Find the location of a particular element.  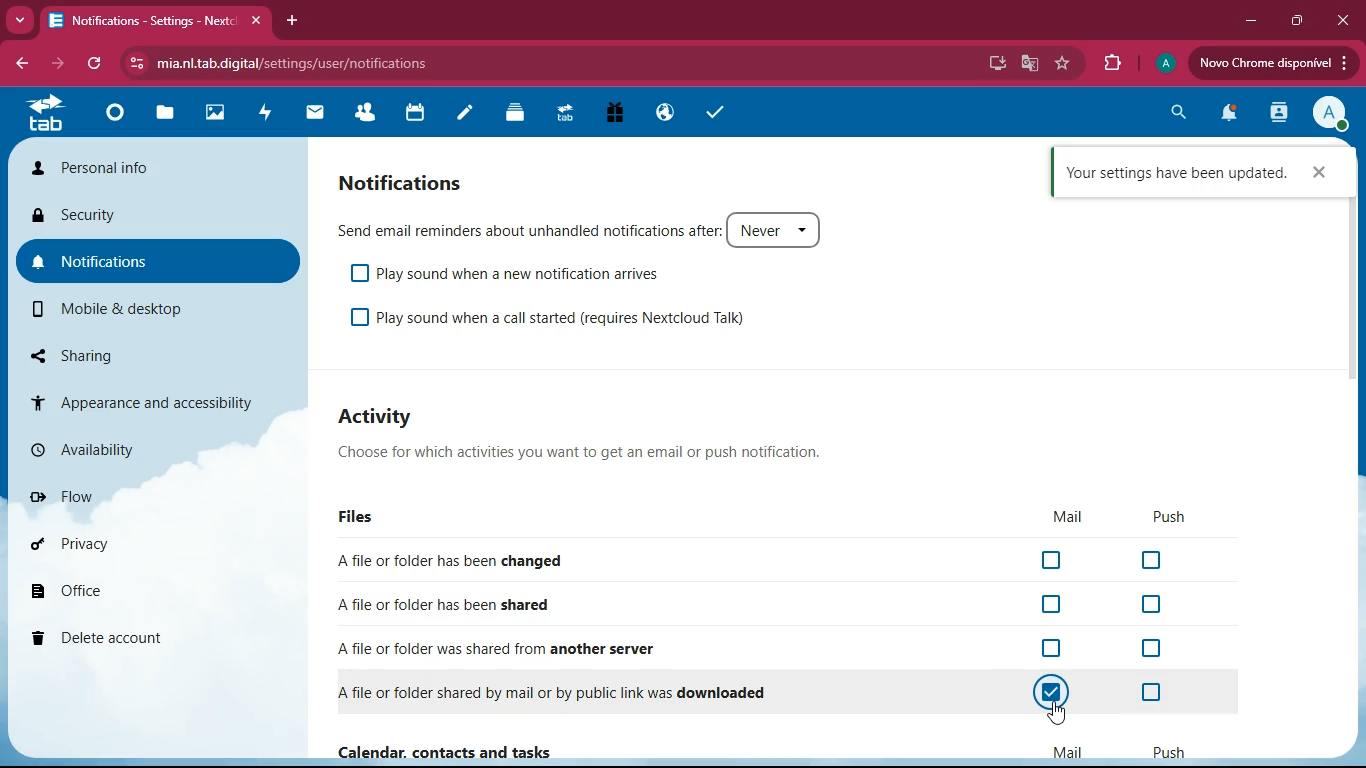

minimize is located at coordinates (1246, 20).